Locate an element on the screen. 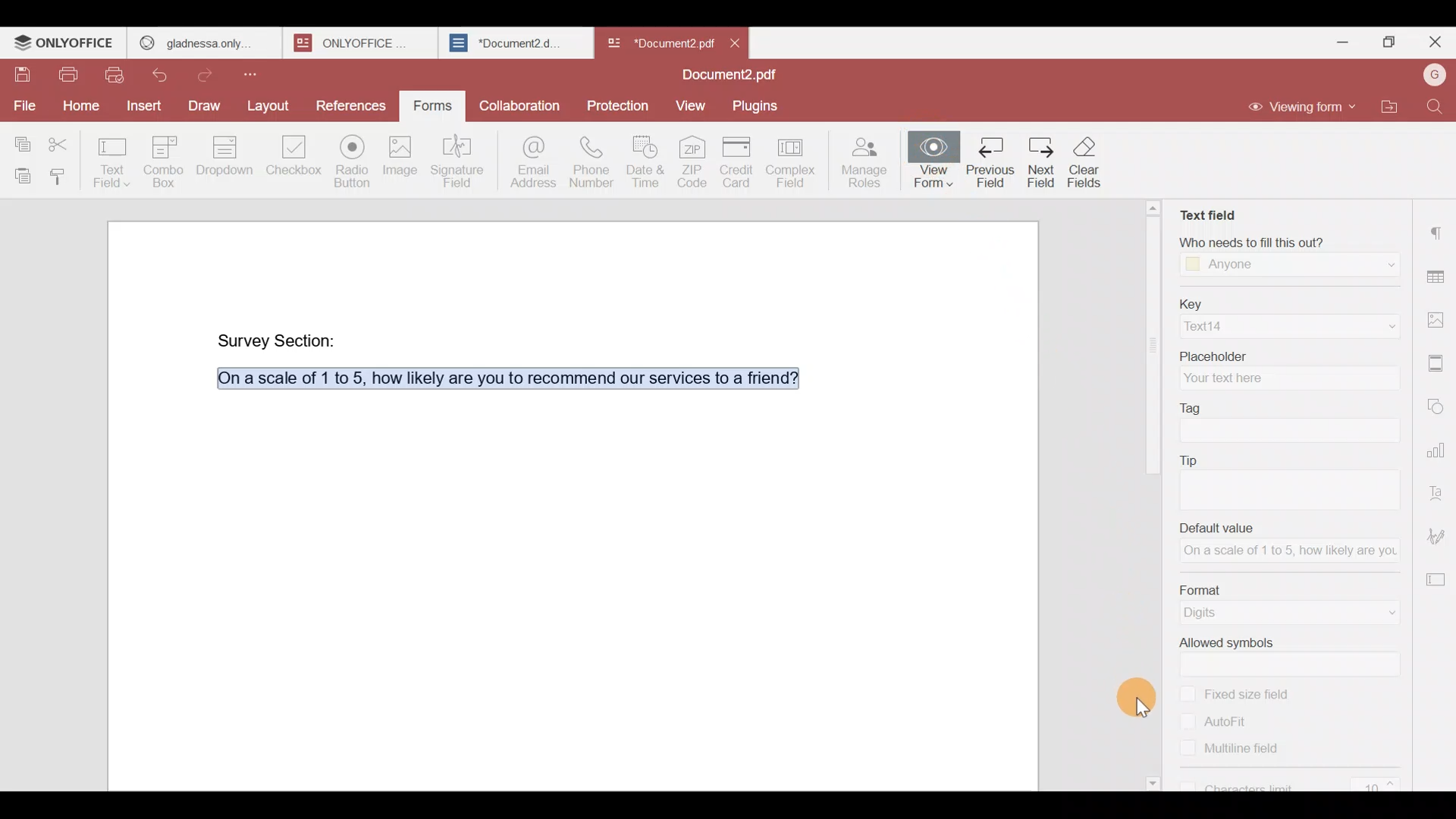 The height and width of the screenshot is (819, 1456). Save is located at coordinates (15, 69).